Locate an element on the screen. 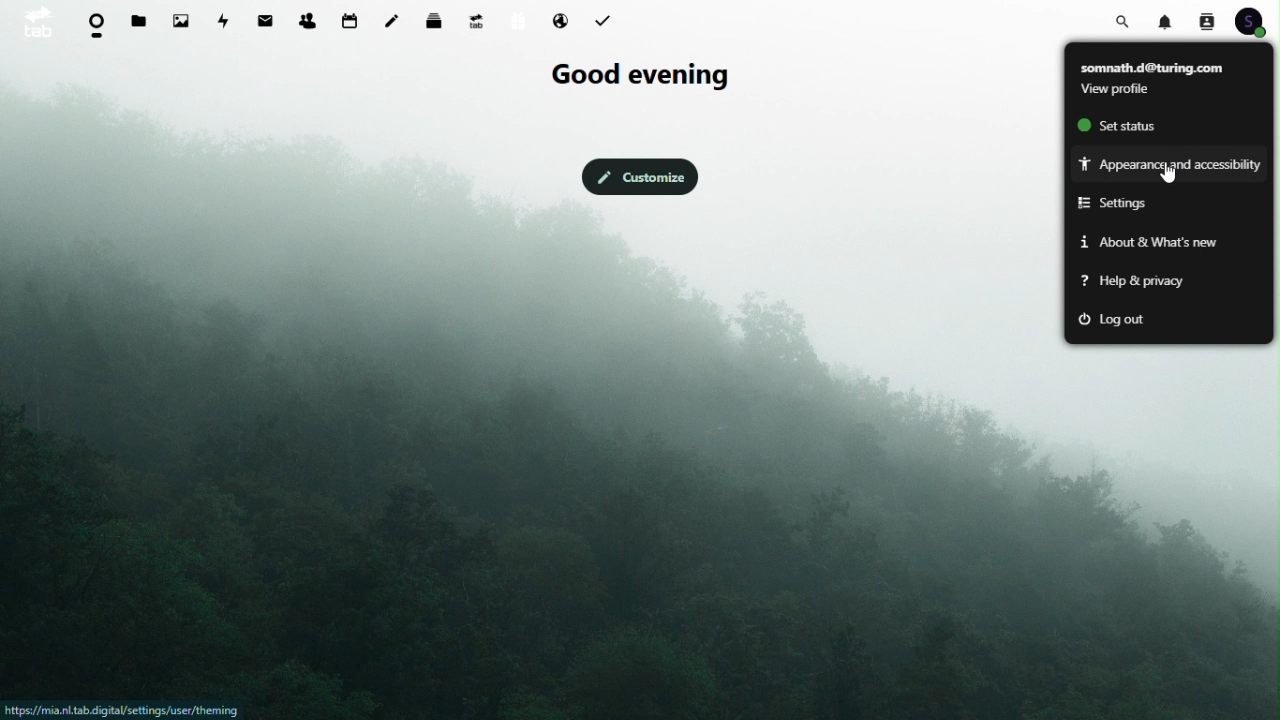  mail is located at coordinates (269, 18).